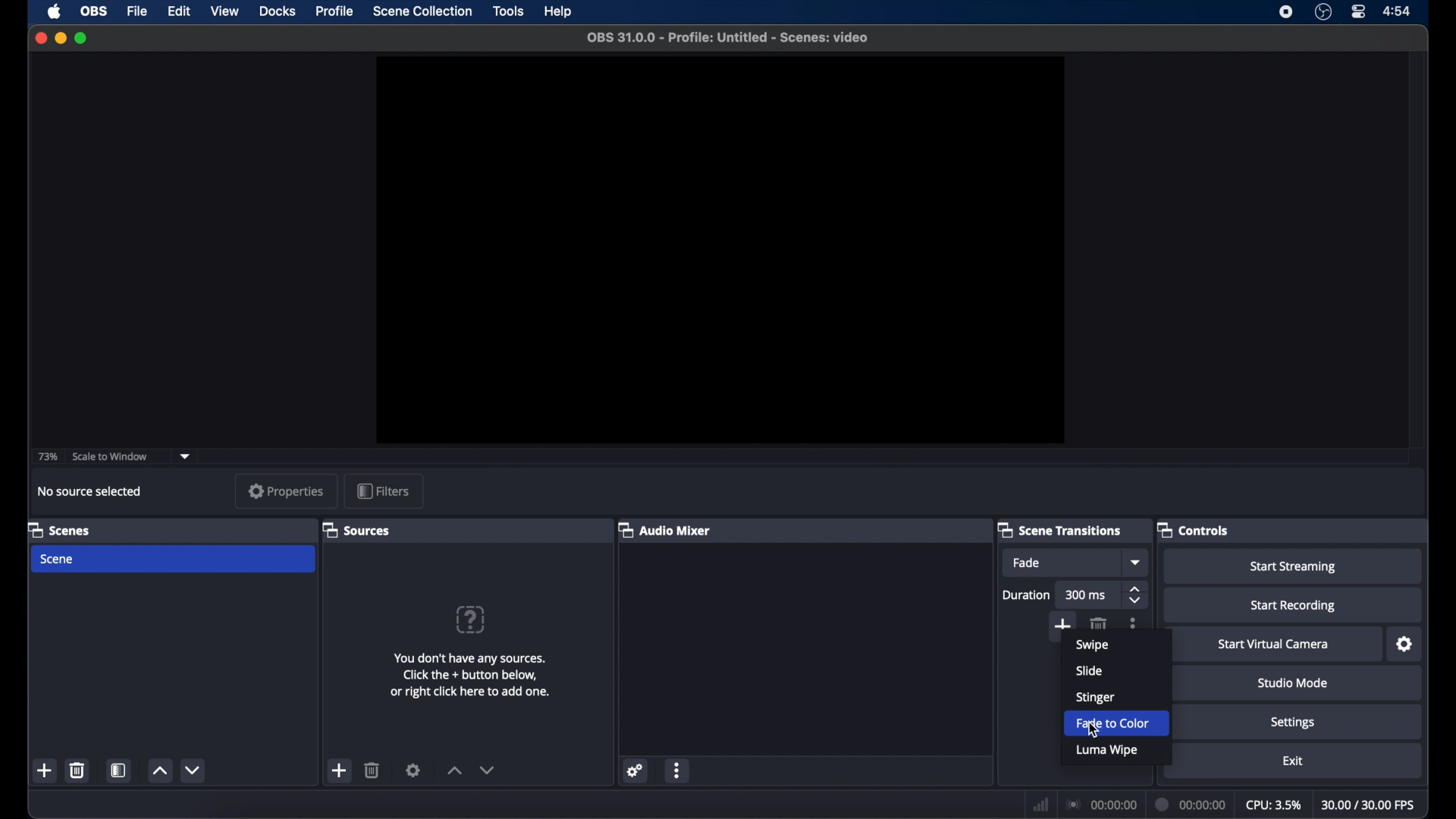 This screenshot has width=1456, height=819. Describe the element at coordinates (180, 11) in the screenshot. I see `edit` at that location.